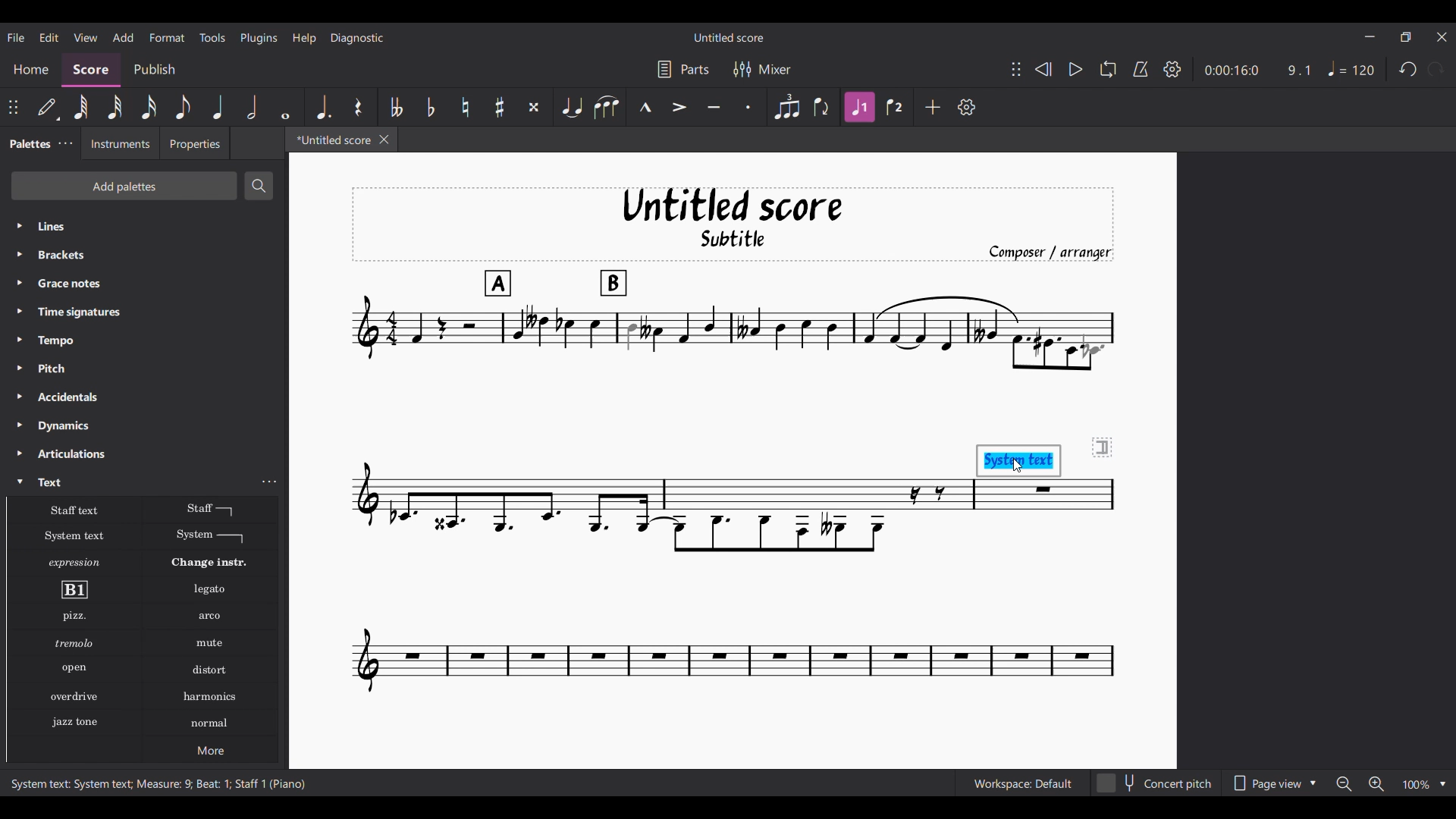 The height and width of the screenshot is (819, 1456). Describe the element at coordinates (144, 368) in the screenshot. I see `Pitch` at that location.